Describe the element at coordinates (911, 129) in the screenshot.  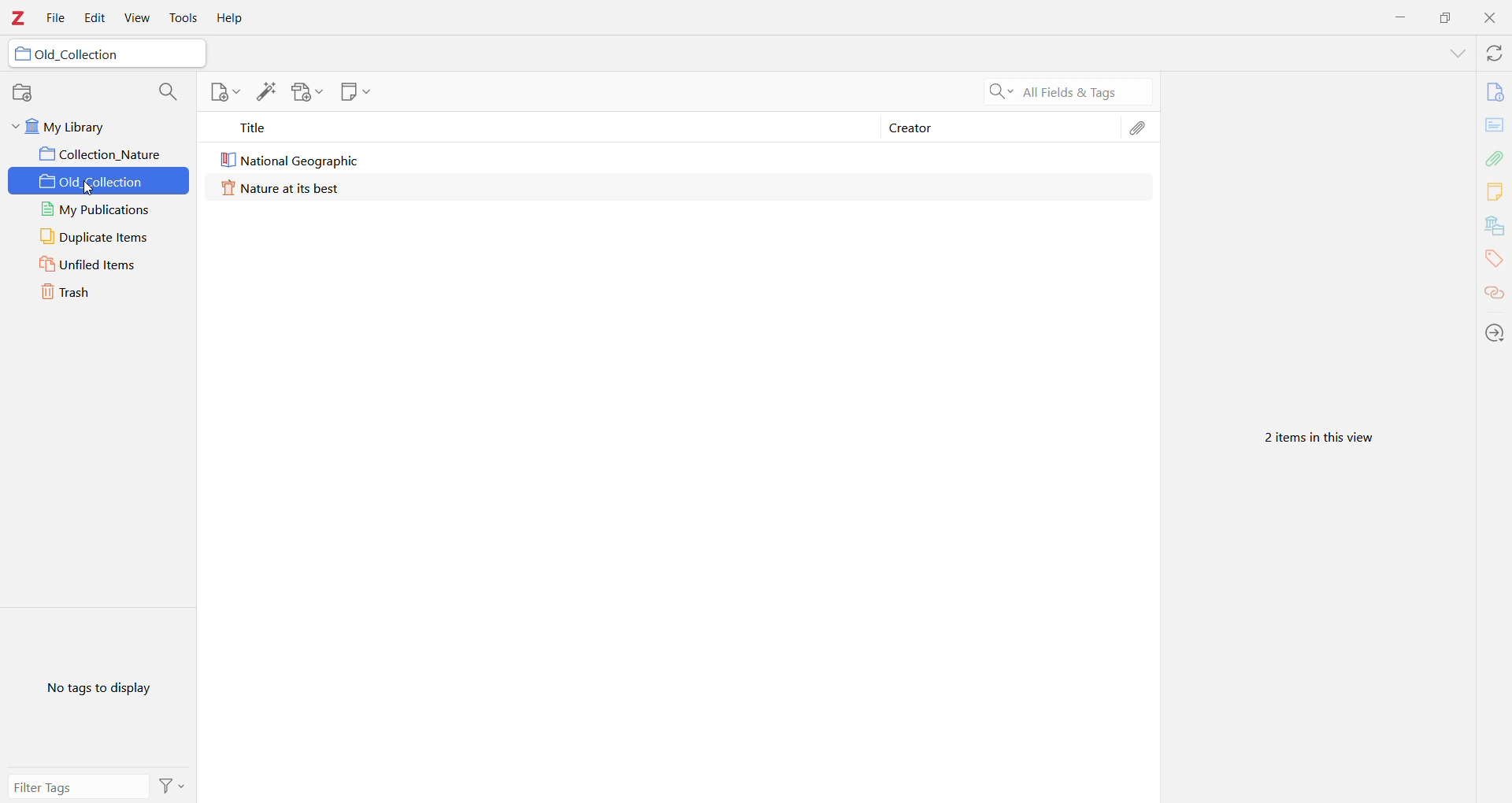
I see `Creator` at that location.